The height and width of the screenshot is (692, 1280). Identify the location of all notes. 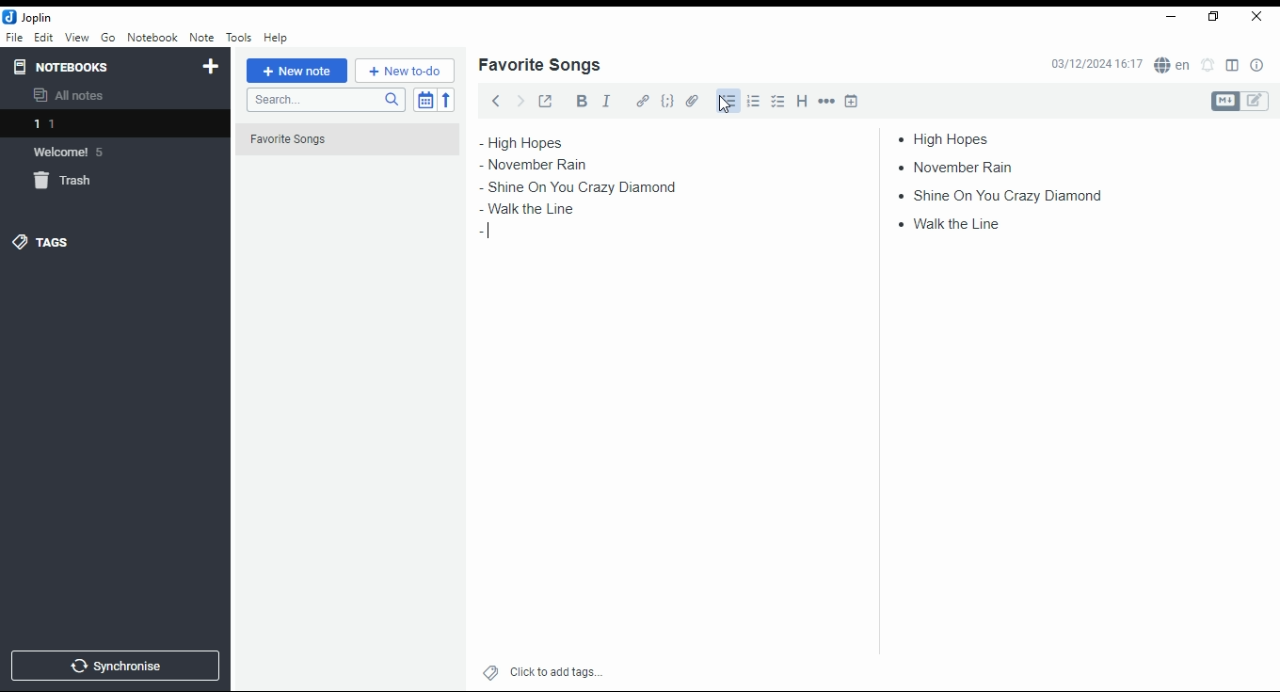
(74, 96).